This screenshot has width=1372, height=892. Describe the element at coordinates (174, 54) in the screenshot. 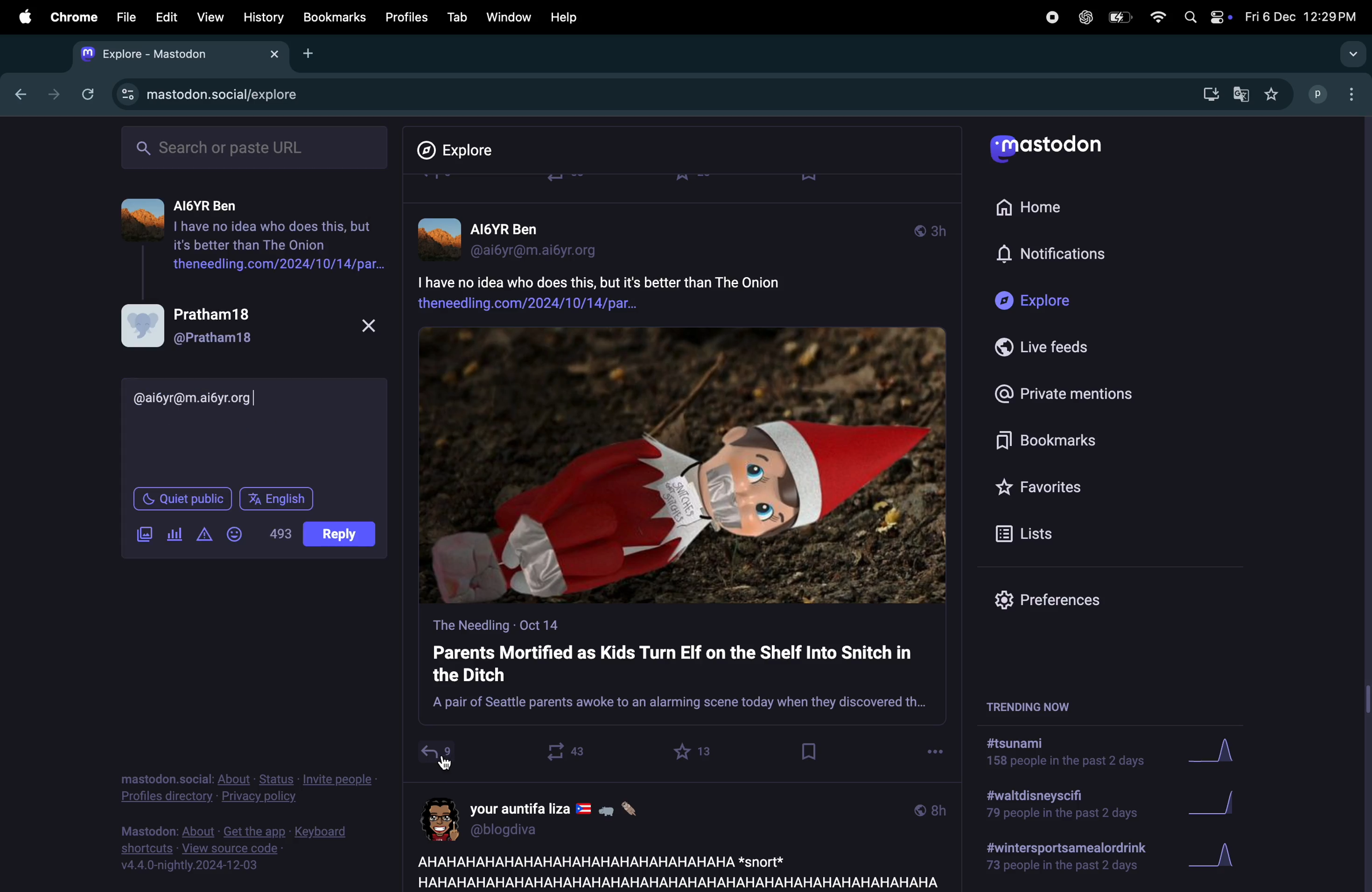

I see `mastodon tab` at that location.